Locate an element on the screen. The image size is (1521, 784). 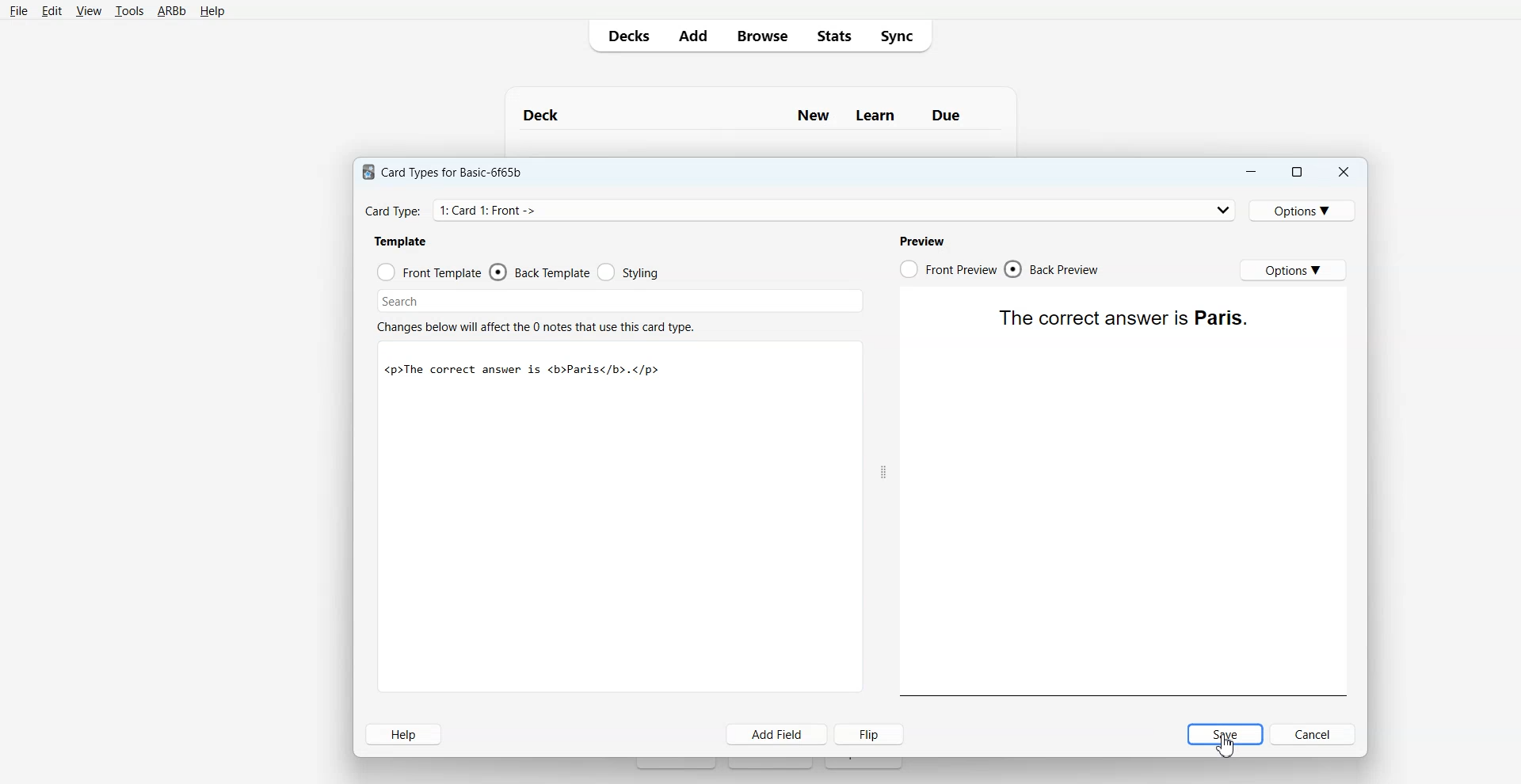
Decks is located at coordinates (625, 36).